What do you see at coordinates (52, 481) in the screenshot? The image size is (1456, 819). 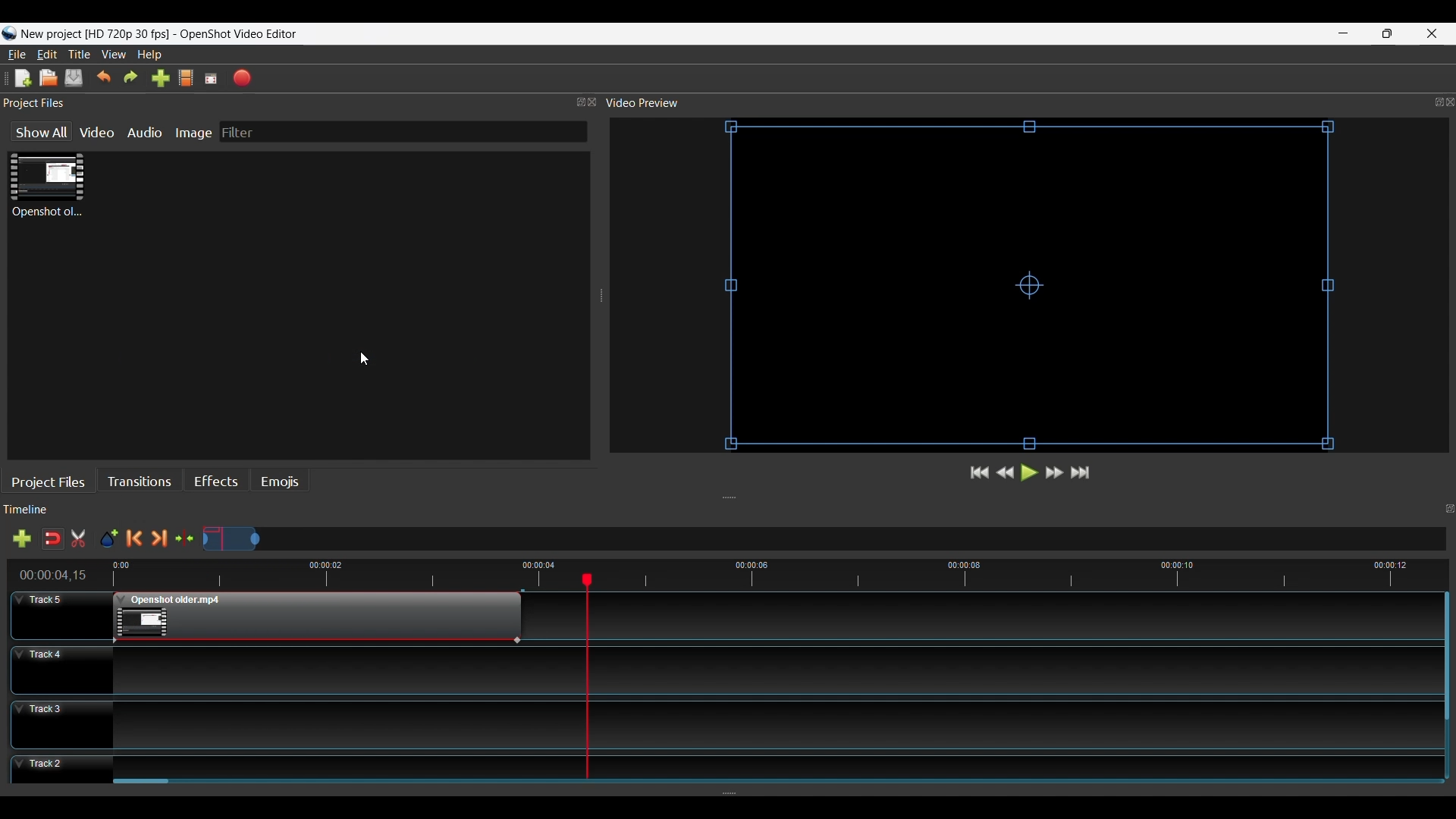 I see `Project Files` at bounding box center [52, 481].